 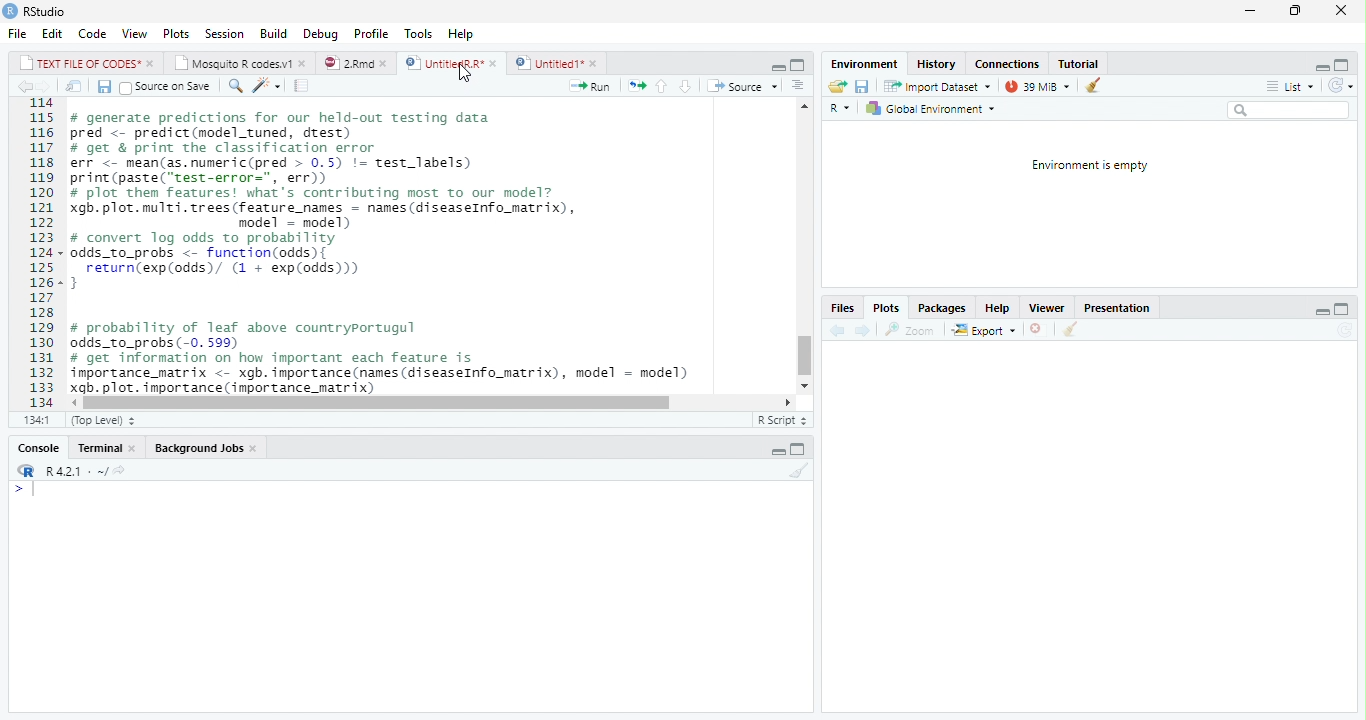 What do you see at coordinates (633, 84) in the screenshot?
I see `Re-run` at bounding box center [633, 84].